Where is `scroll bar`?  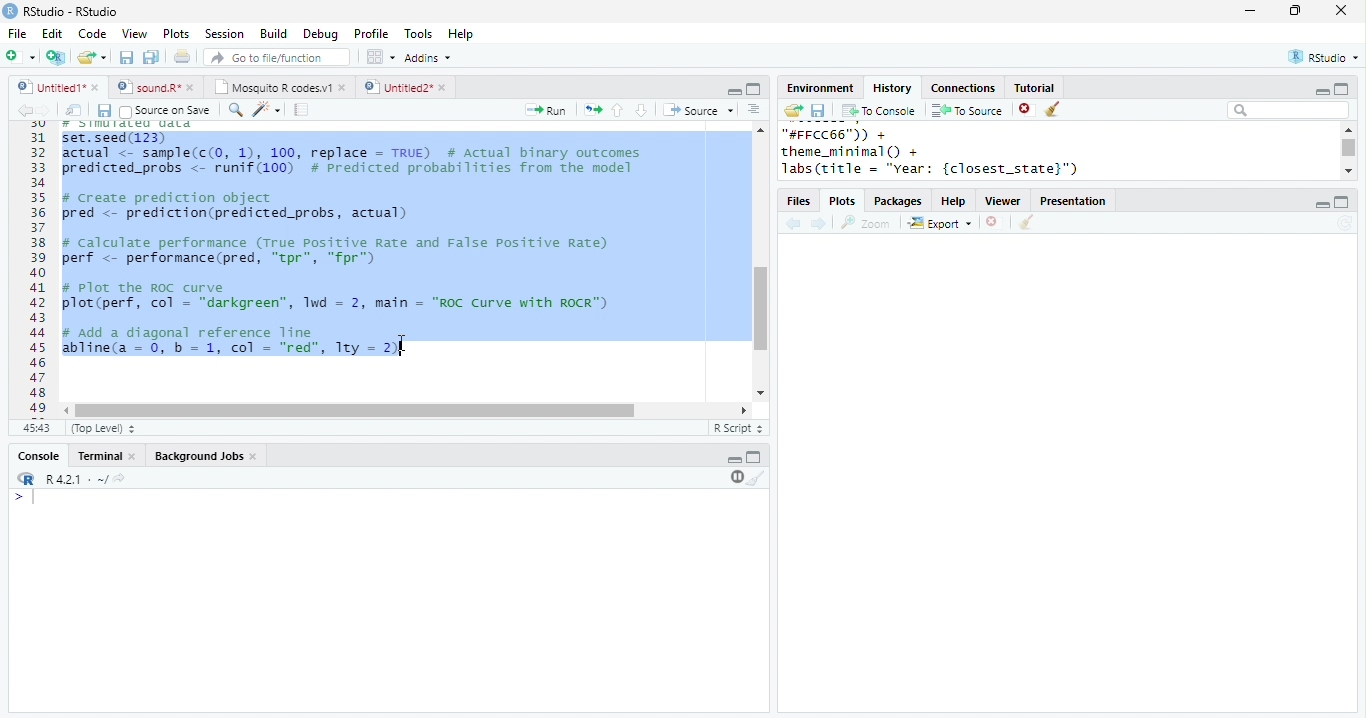 scroll bar is located at coordinates (1350, 148).